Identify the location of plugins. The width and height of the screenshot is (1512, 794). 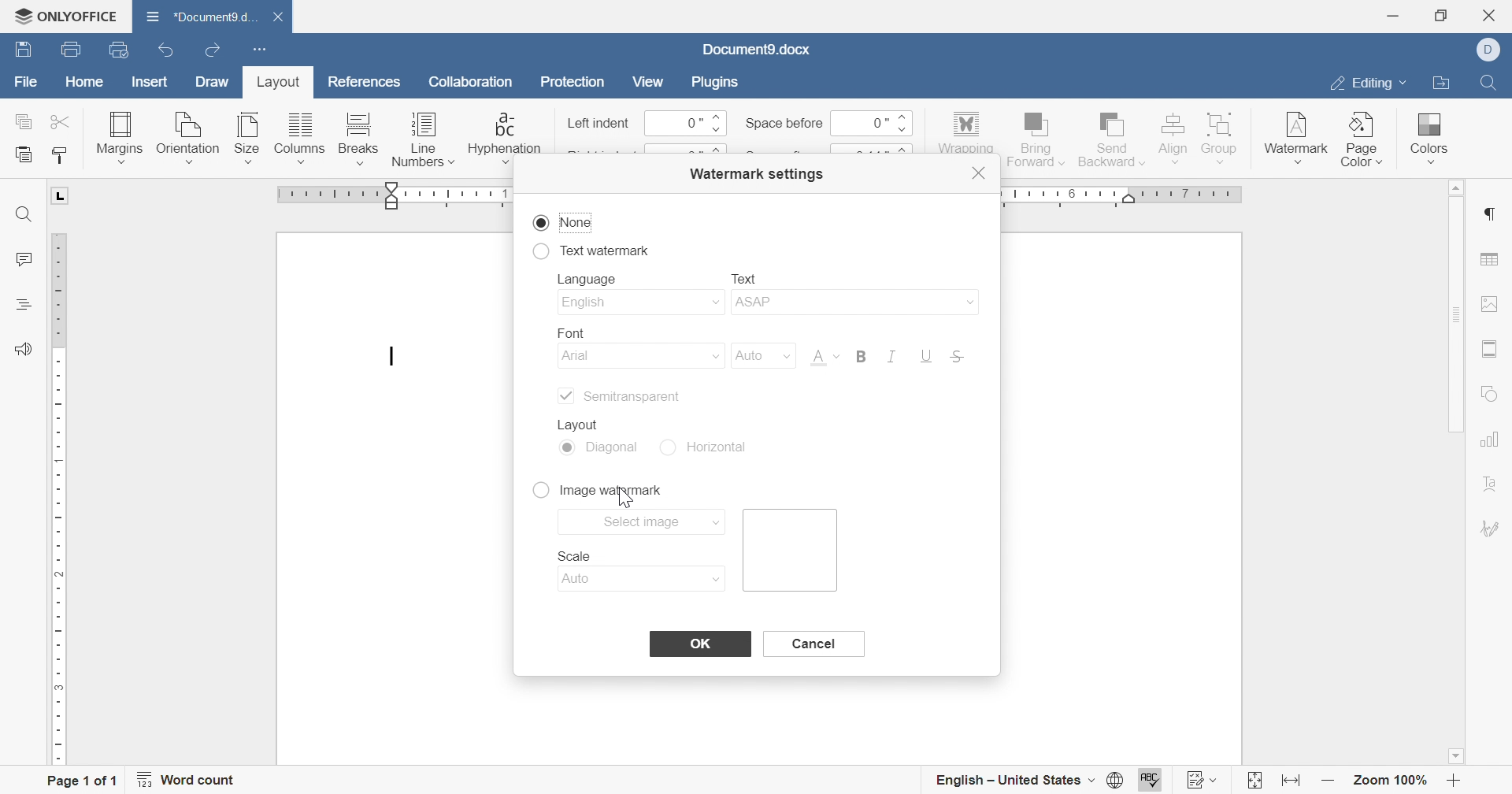
(712, 80).